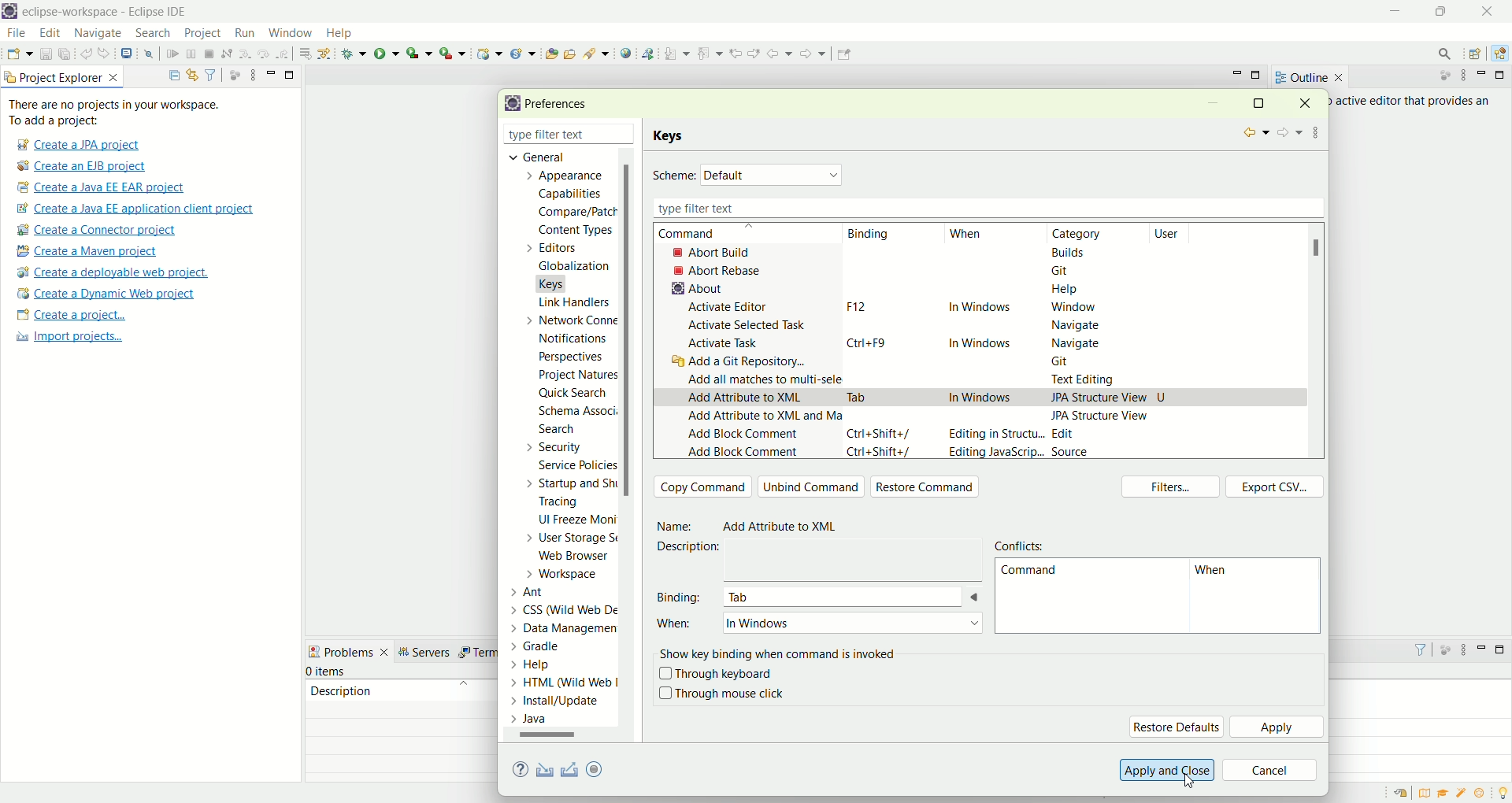  What do you see at coordinates (1014, 435) in the screenshot?
I see `editing in structure...Edit` at bounding box center [1014, 435].